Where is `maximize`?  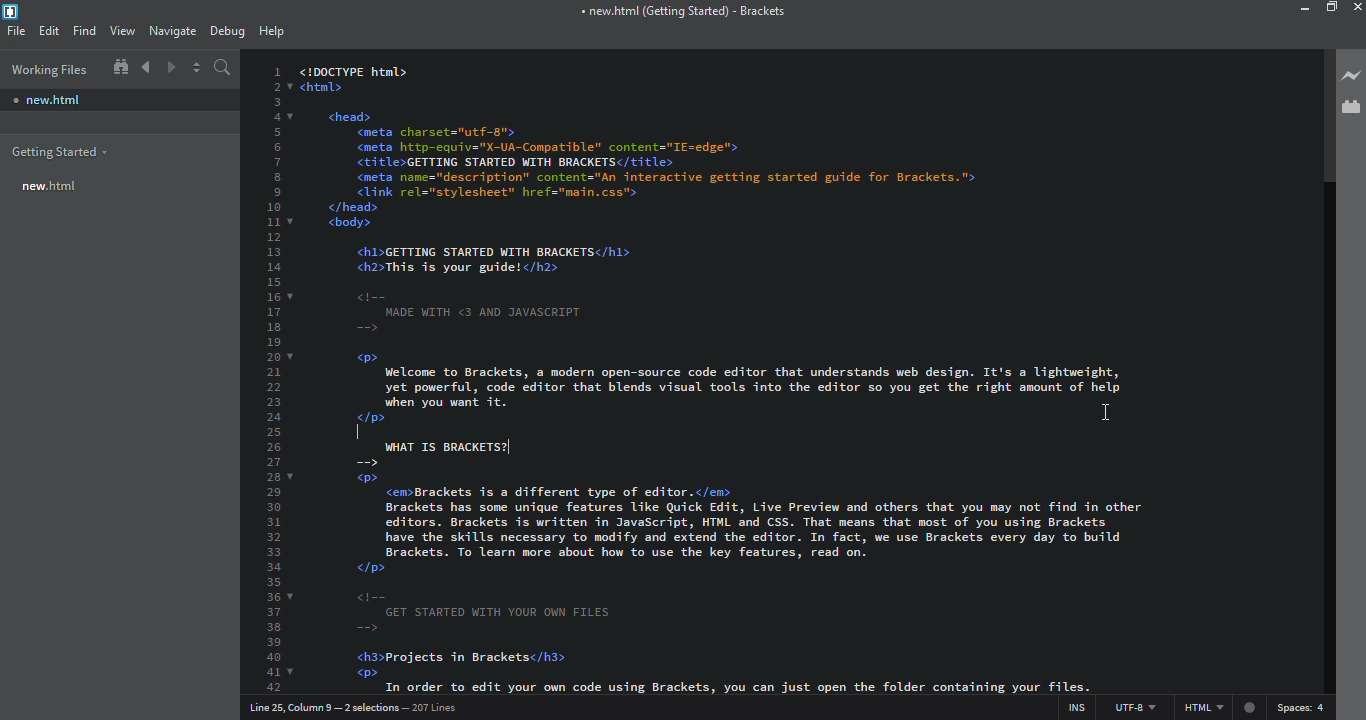
maximize is located at coordinates (1332, 8).